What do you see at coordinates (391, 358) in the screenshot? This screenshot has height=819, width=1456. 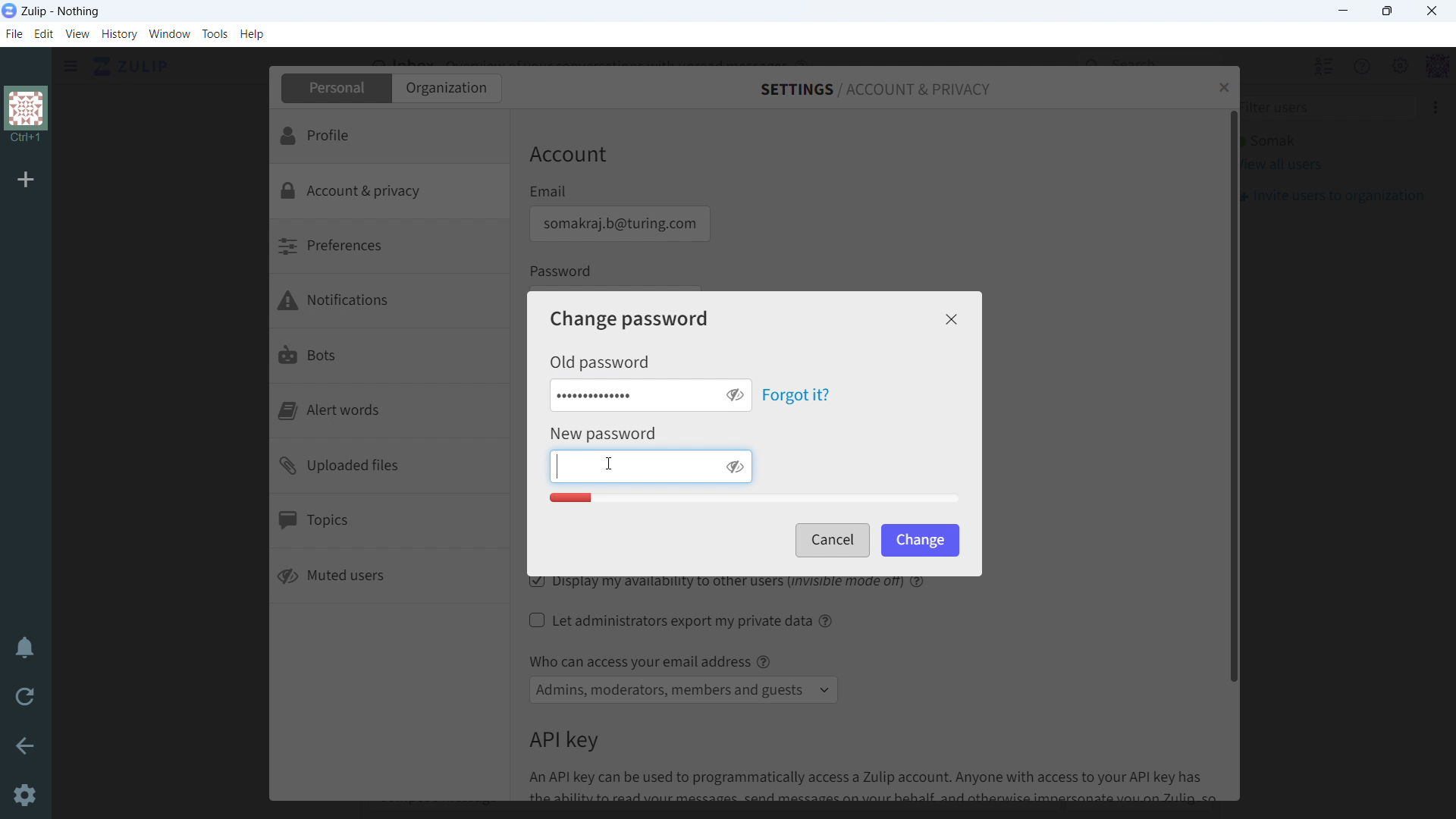 I see `bots` at bounding box center [391, 358].